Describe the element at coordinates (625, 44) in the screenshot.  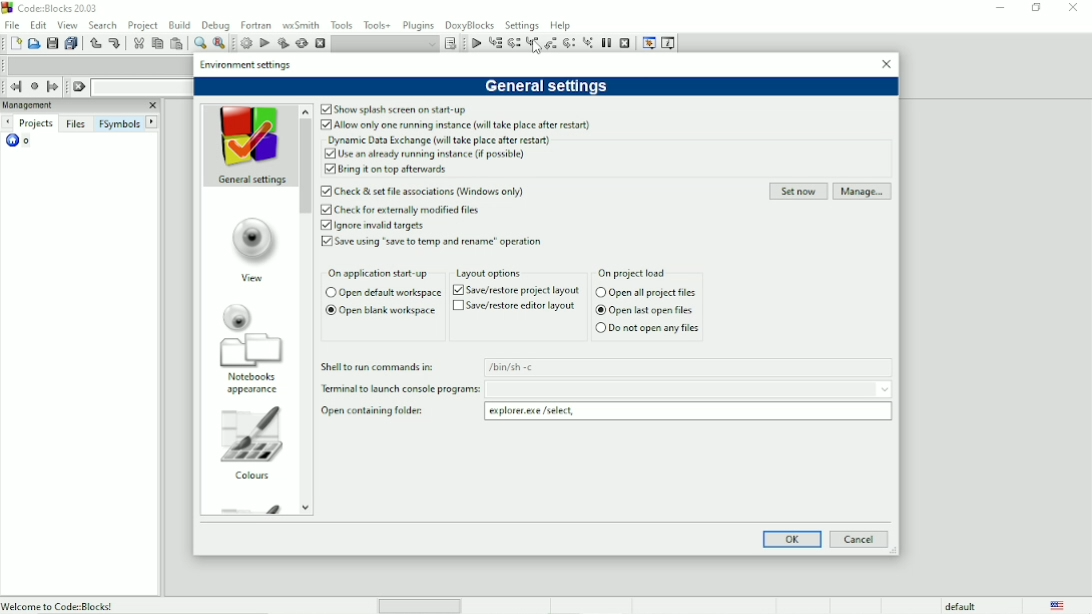
I see `Stop debugger` at that location.